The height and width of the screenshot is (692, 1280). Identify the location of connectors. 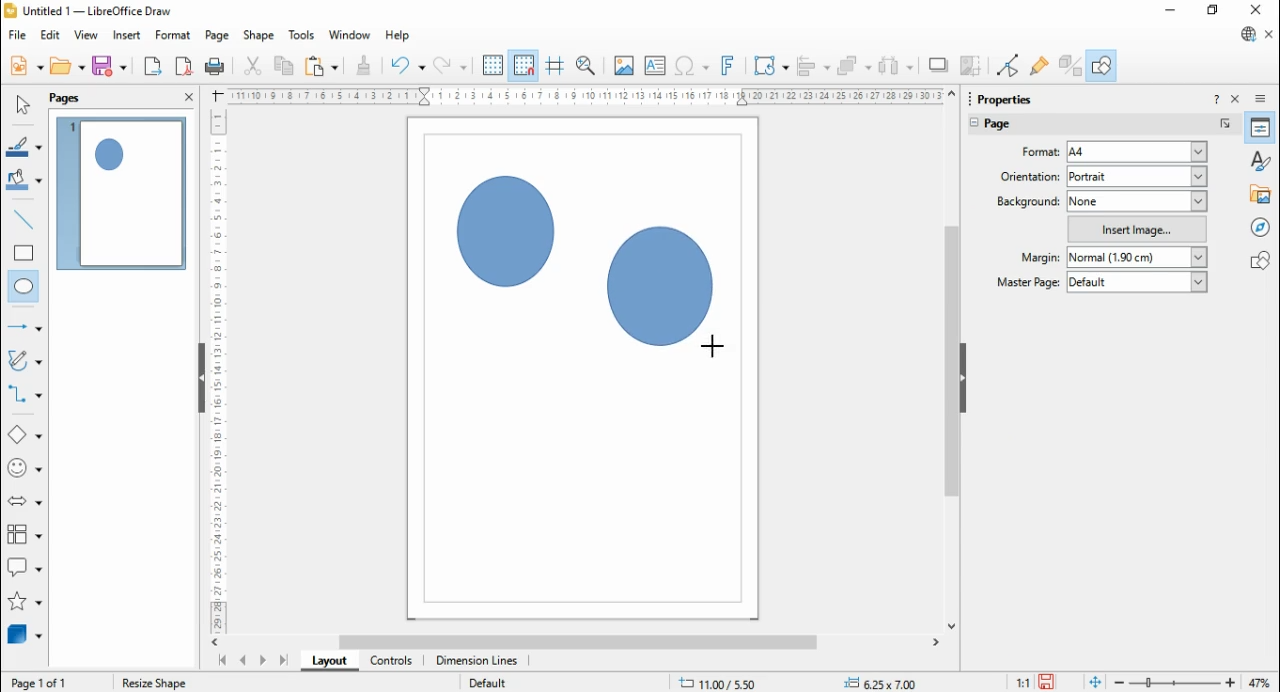
(25, 394).